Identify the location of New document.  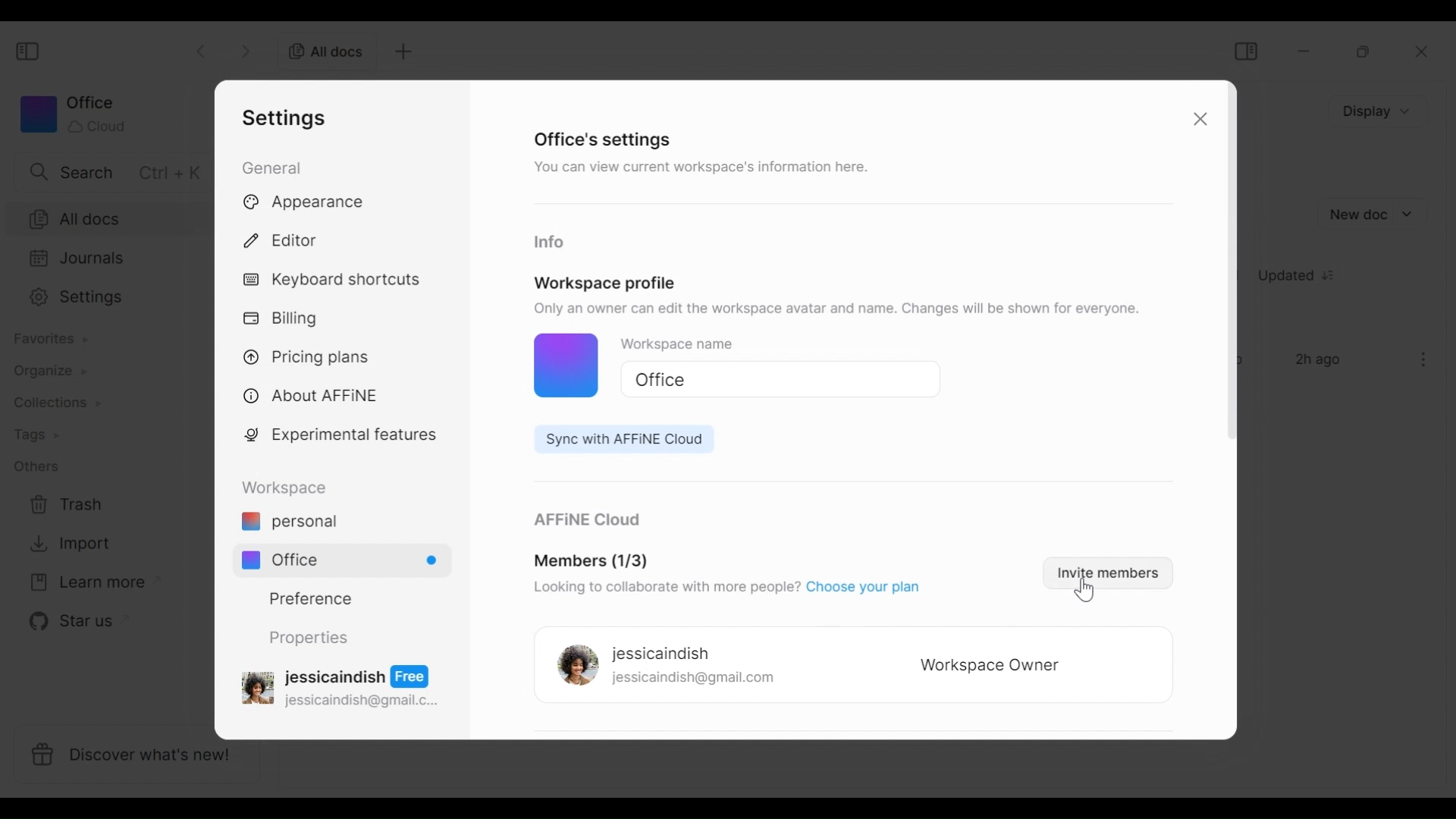
(1372, 215).